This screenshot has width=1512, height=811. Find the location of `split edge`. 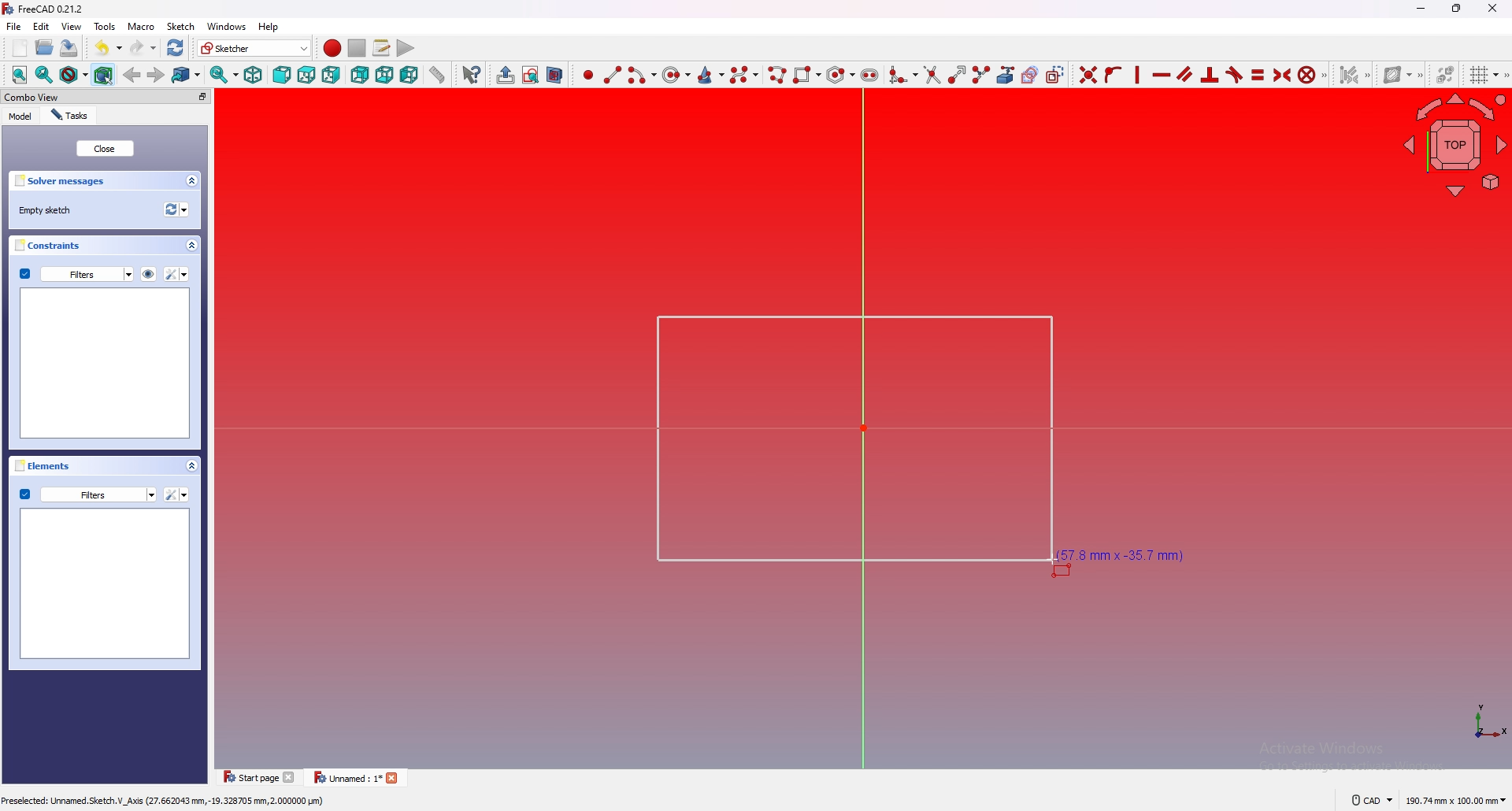

split edge is located at coordinates (982, 75).